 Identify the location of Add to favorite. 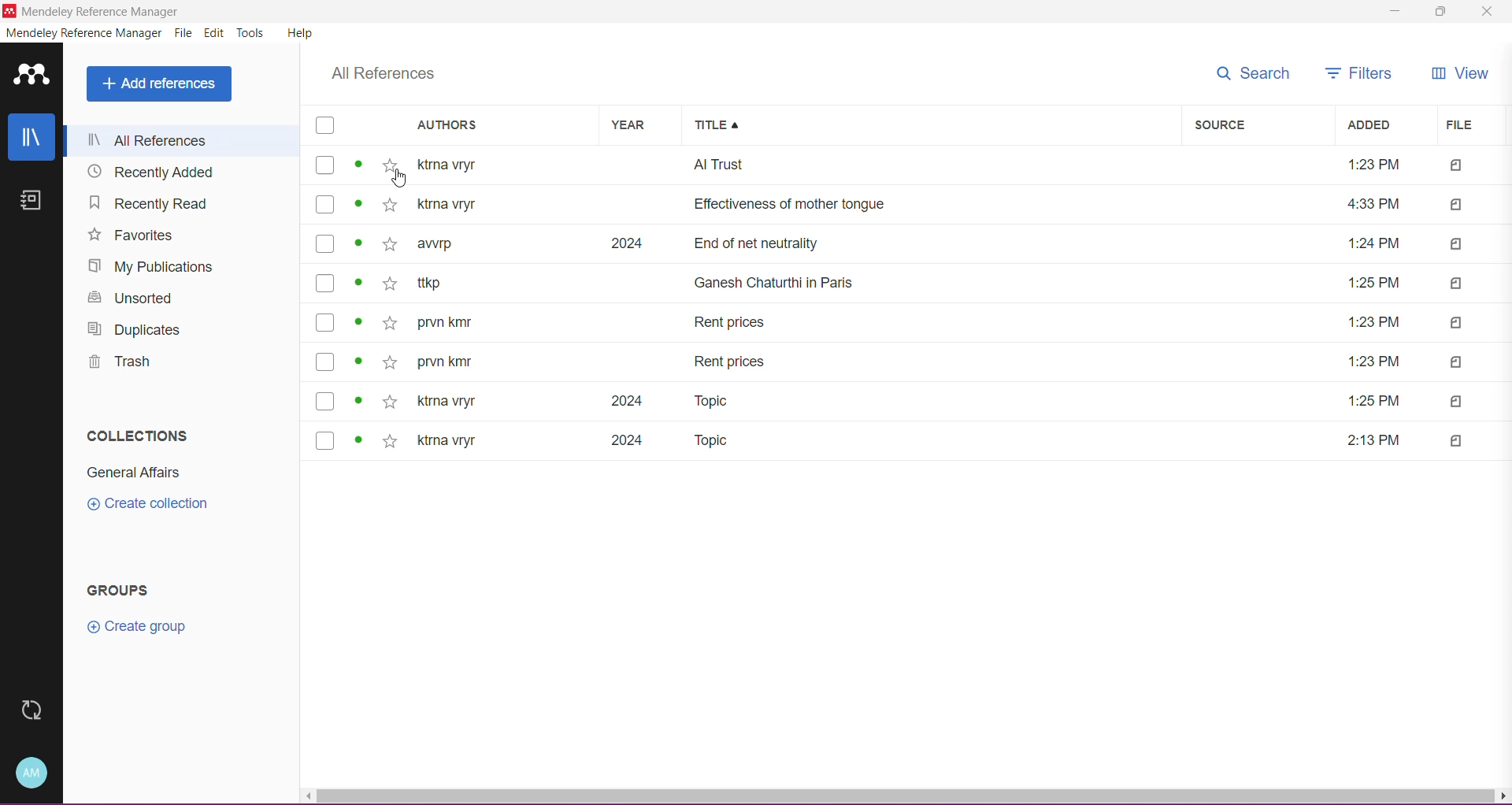
(391, 402).